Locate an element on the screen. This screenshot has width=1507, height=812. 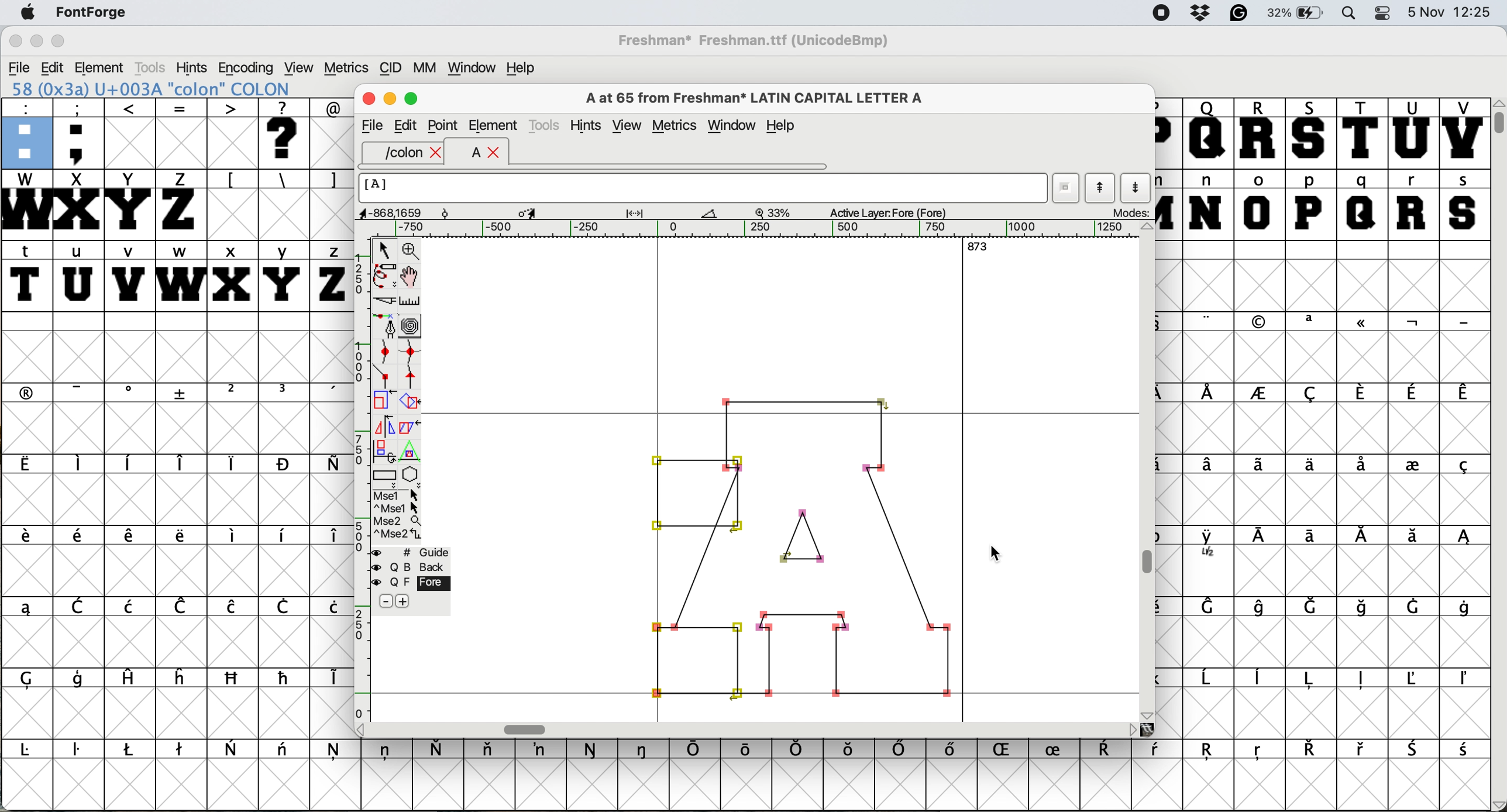
symbol is located at coordinates (329, 678).